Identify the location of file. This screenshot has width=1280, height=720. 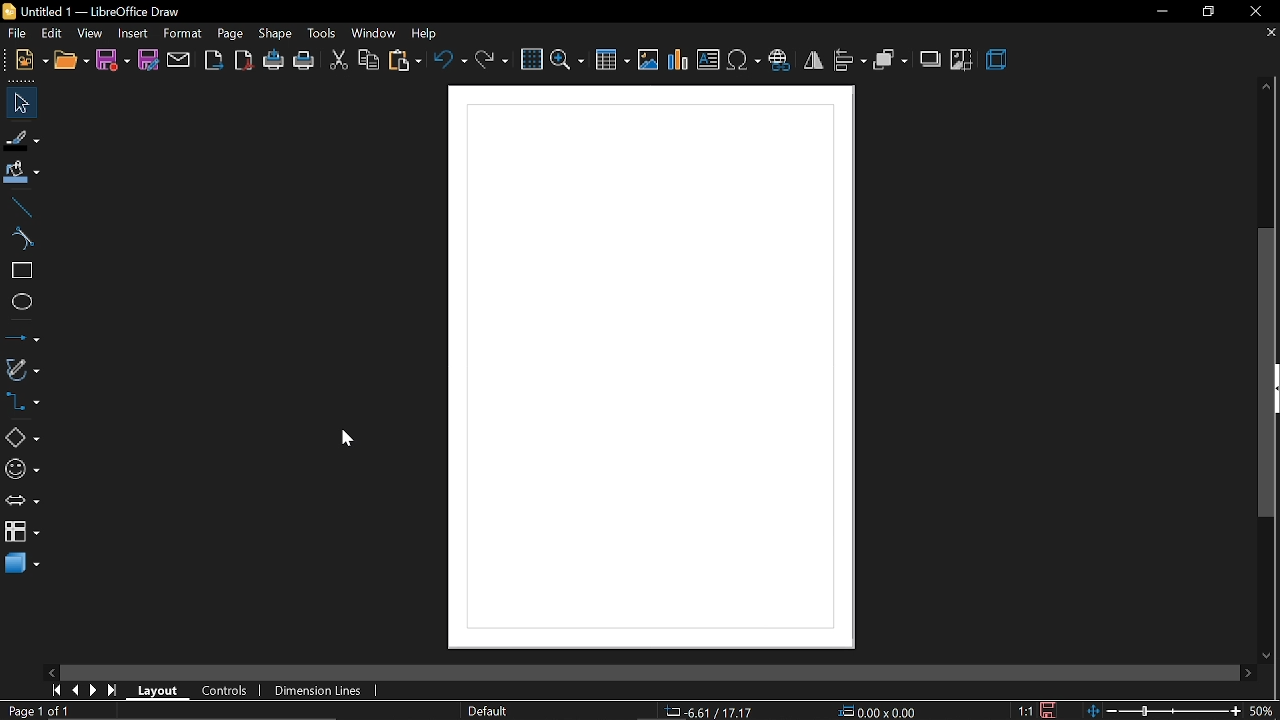
(18, 35).